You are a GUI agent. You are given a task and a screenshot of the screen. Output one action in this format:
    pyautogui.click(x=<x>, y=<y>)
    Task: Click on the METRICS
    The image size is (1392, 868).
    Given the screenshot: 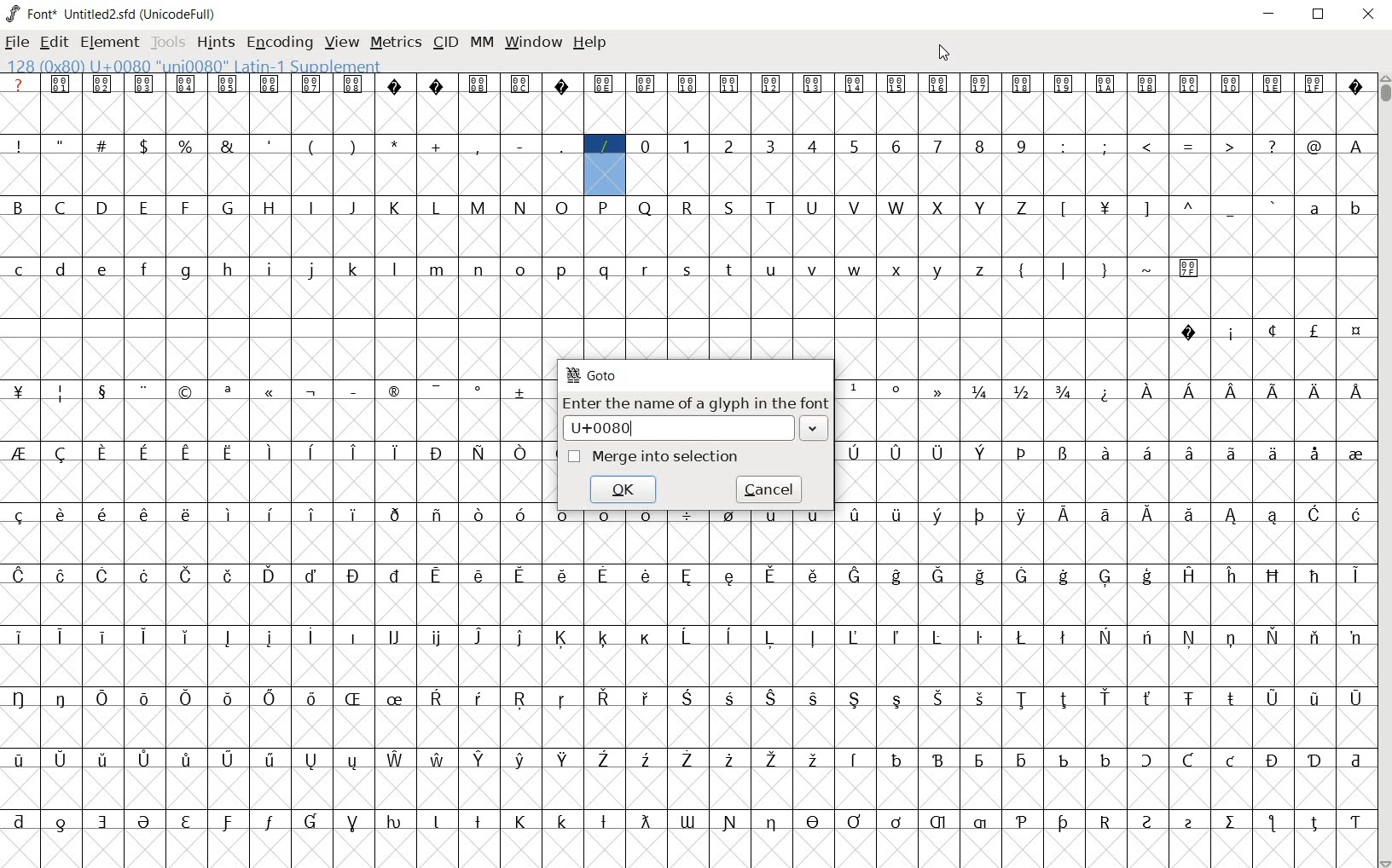 What is the action you would take?
    pyautogui.click(x=396, y=41)
    